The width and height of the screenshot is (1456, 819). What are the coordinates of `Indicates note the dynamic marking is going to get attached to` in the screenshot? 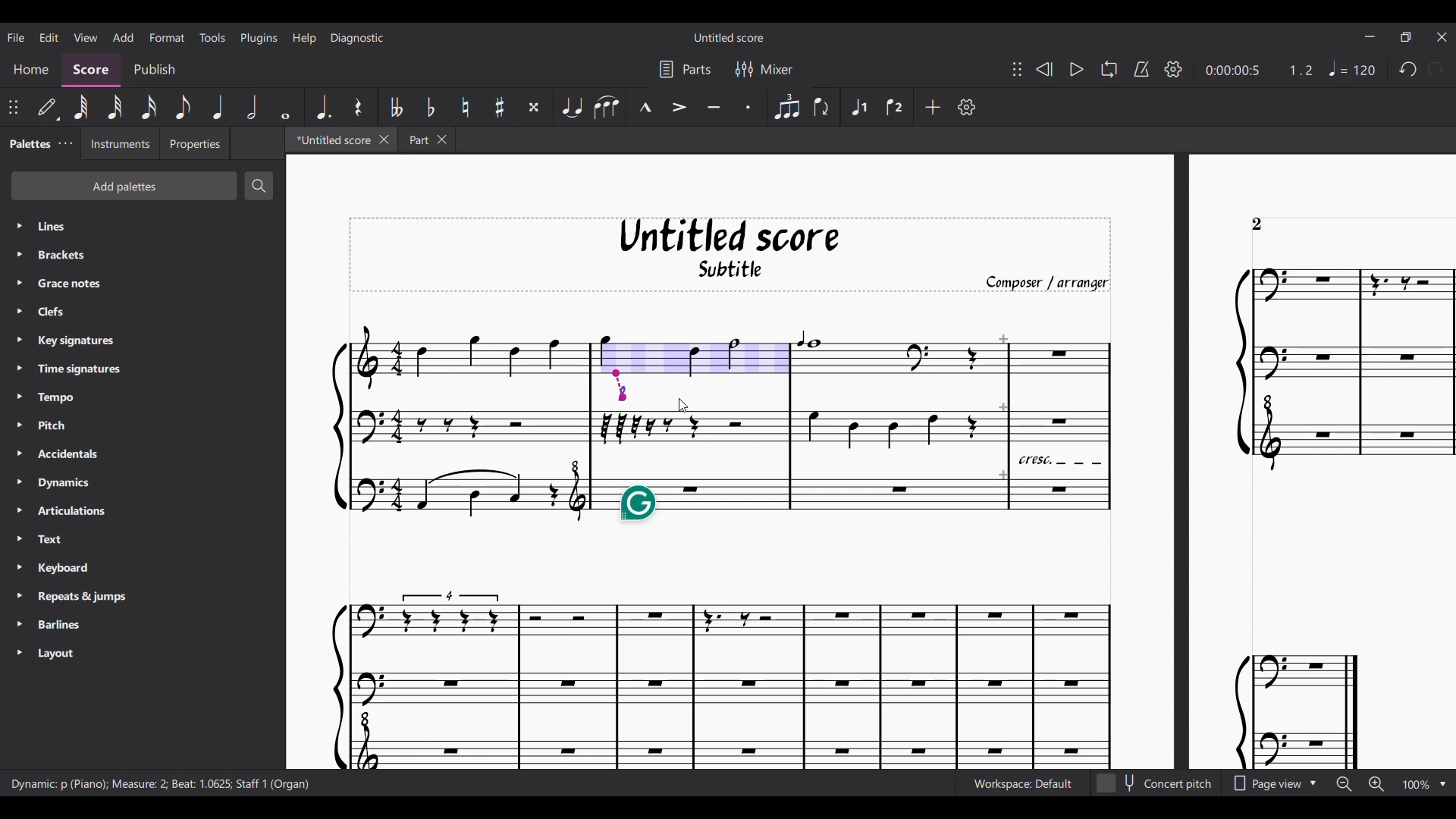 It's located at (620, 385).